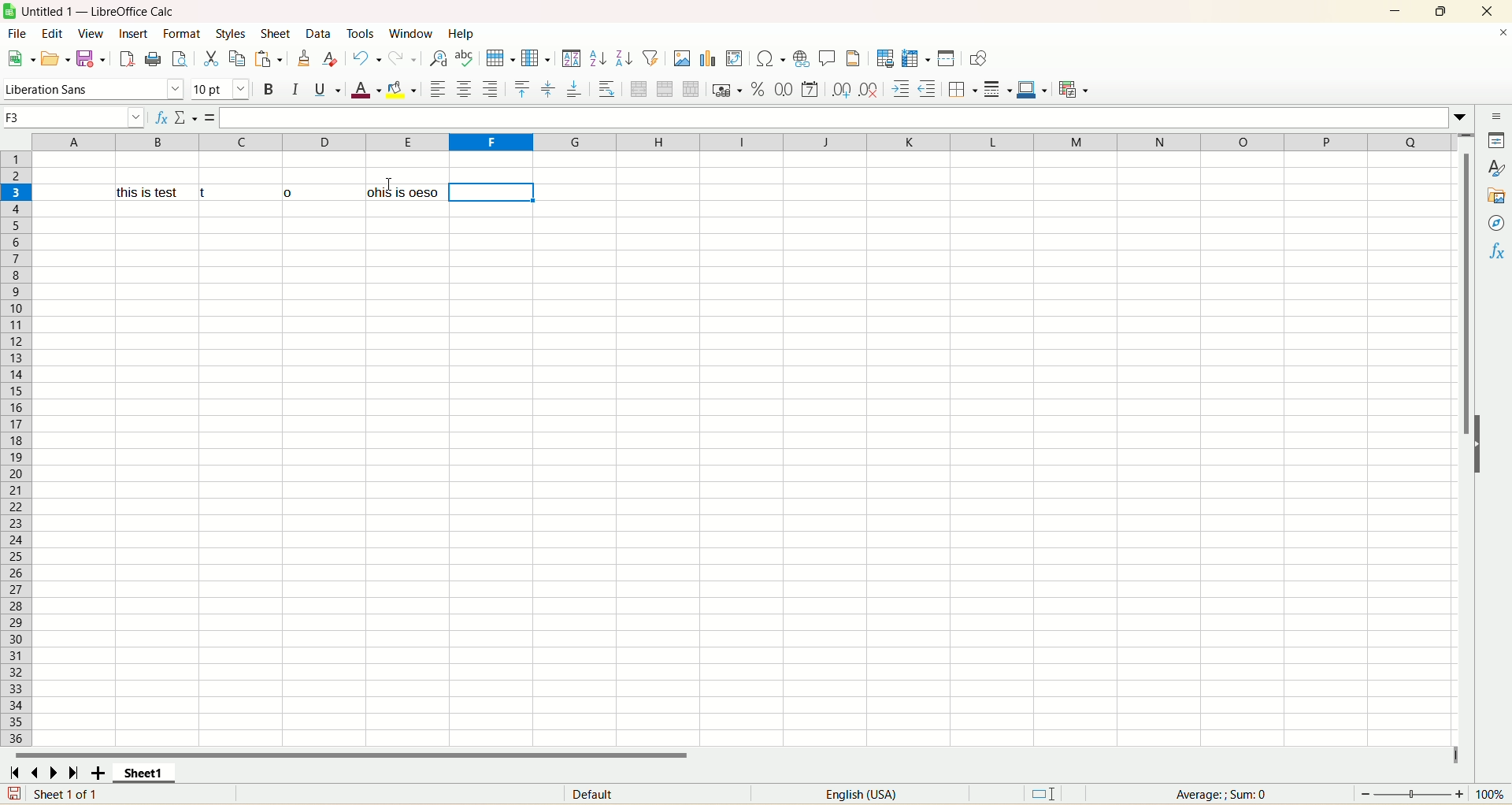 The image size is (1512, 805). Describe the element at coordinates (831, 117) in the screenshot. I see `formula bar` at that location.